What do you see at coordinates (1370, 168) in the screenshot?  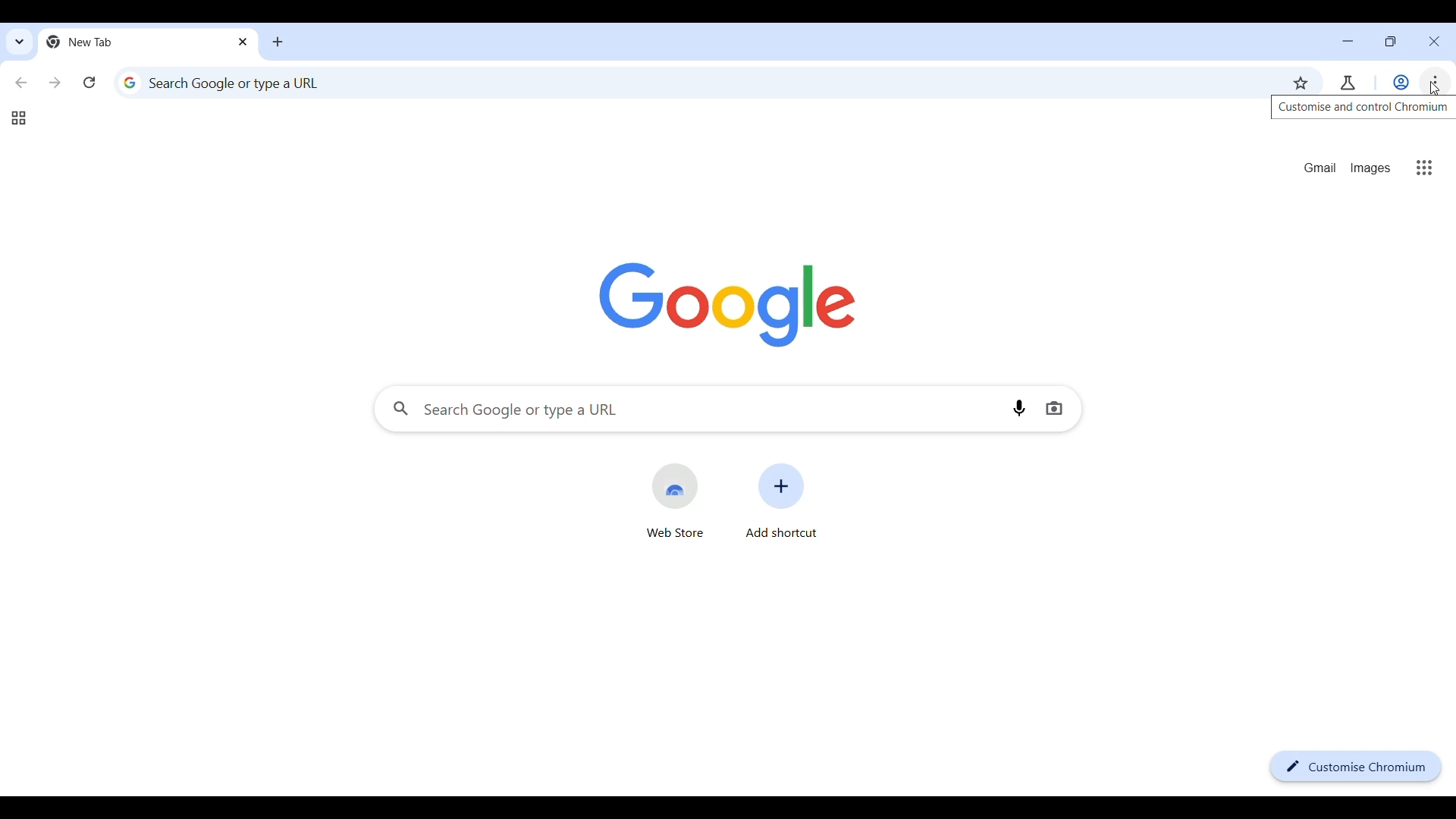 I see `Google images` at bounding box center [1370, 168].